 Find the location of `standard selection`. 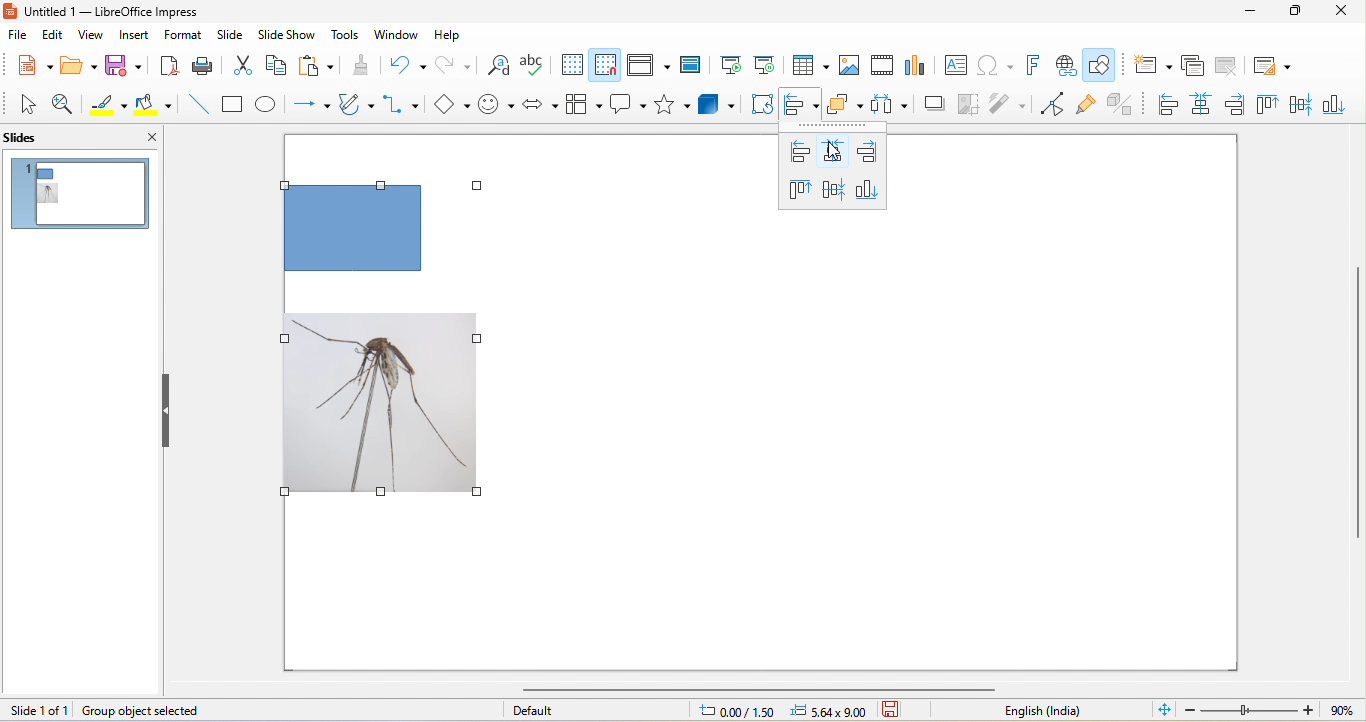

standard selection is located at coordinates (902, 710).